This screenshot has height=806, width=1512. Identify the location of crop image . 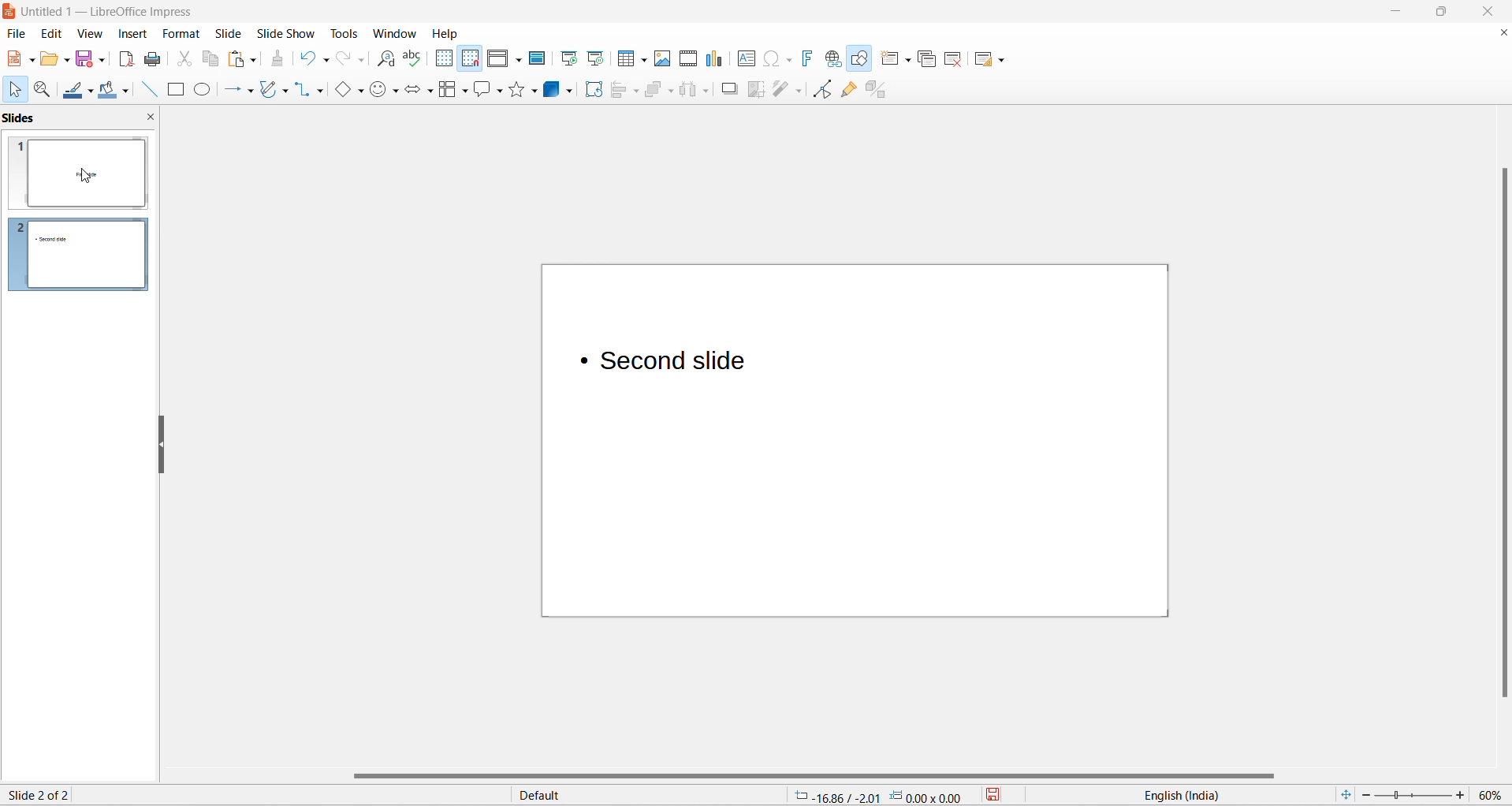
(758, 91).